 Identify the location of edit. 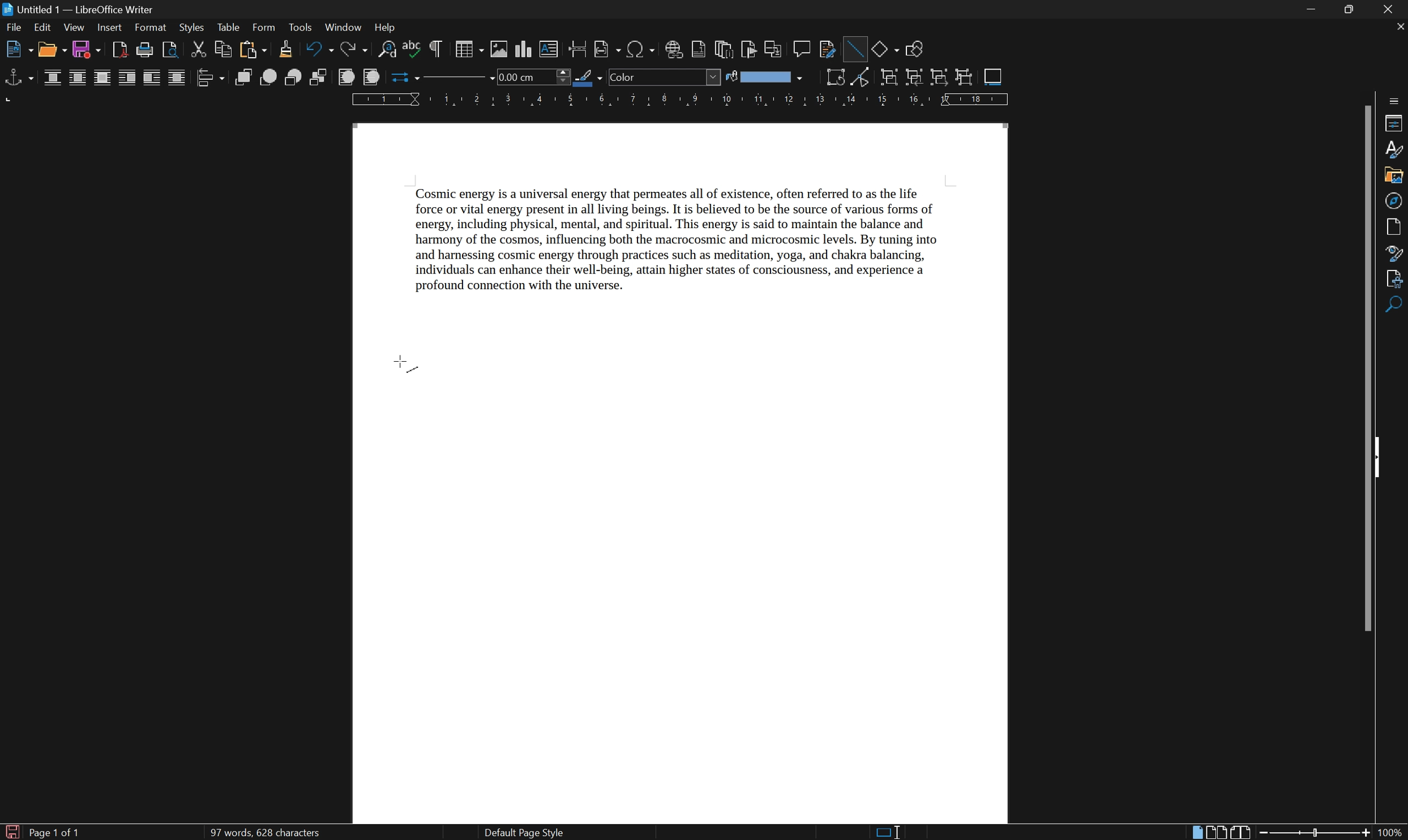
(43, 29).